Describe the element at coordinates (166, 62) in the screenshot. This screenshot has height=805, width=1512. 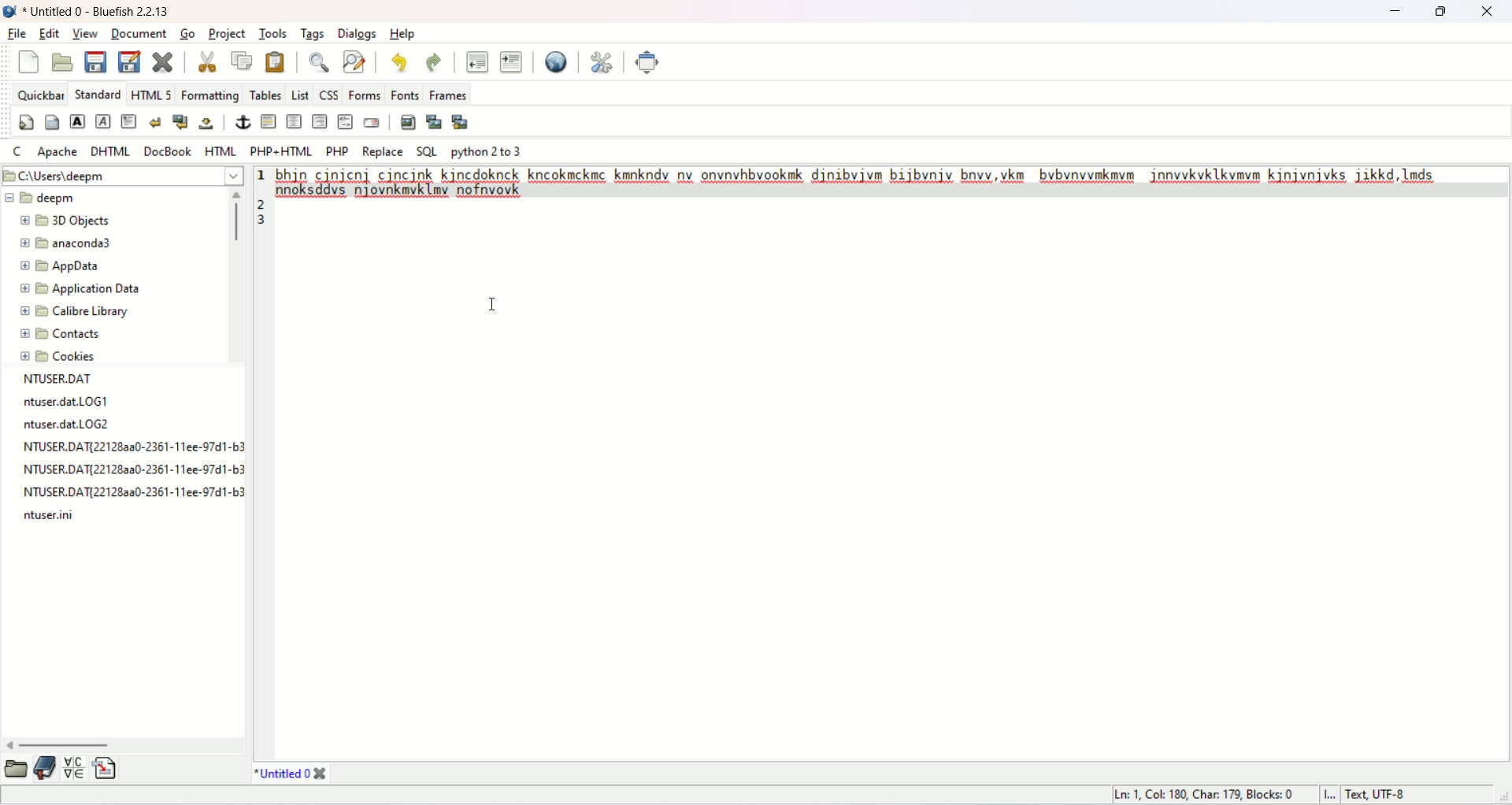
I see `close current file` at that location.